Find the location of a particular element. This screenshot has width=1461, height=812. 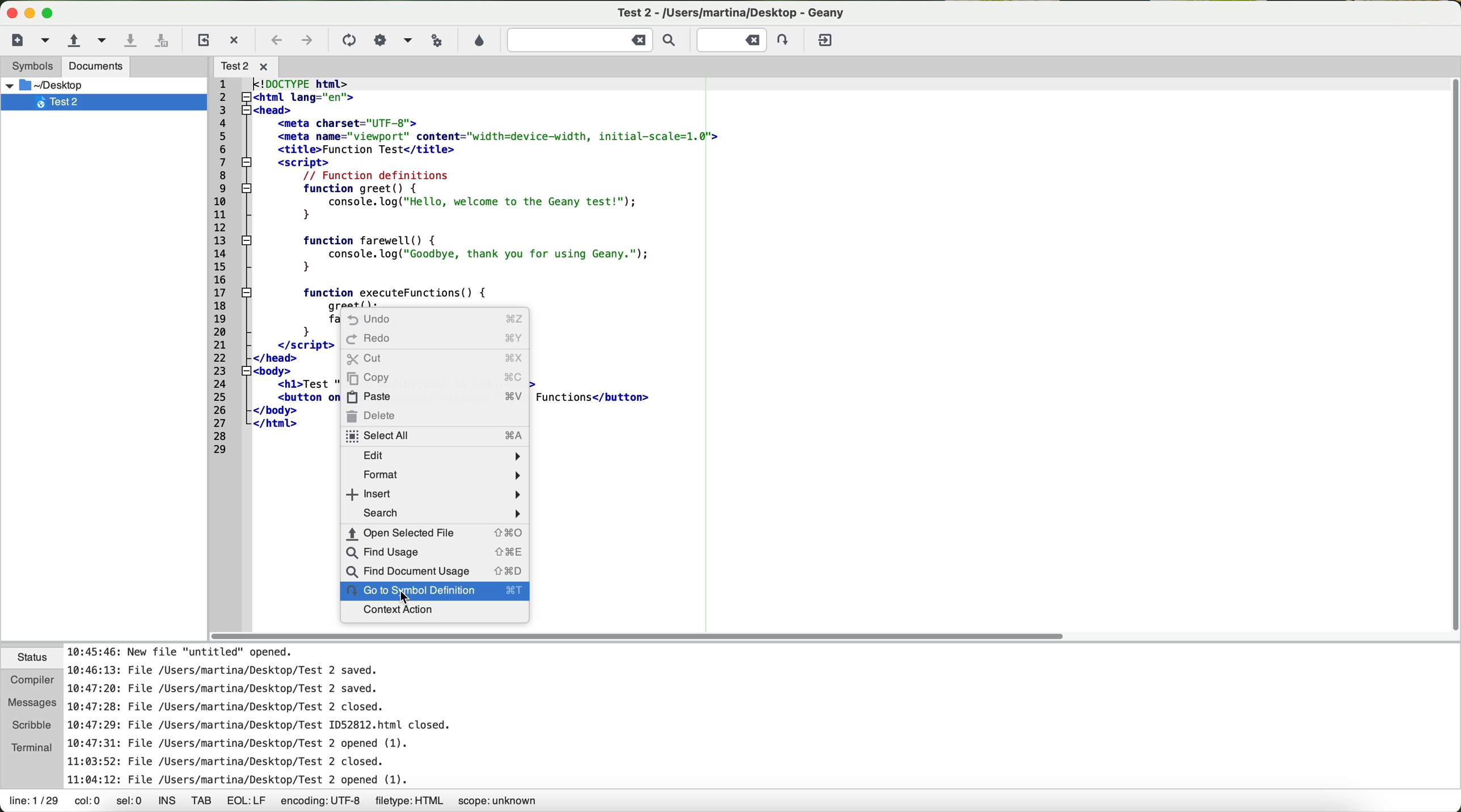

quit Geany is located at coordinates (827, 43).